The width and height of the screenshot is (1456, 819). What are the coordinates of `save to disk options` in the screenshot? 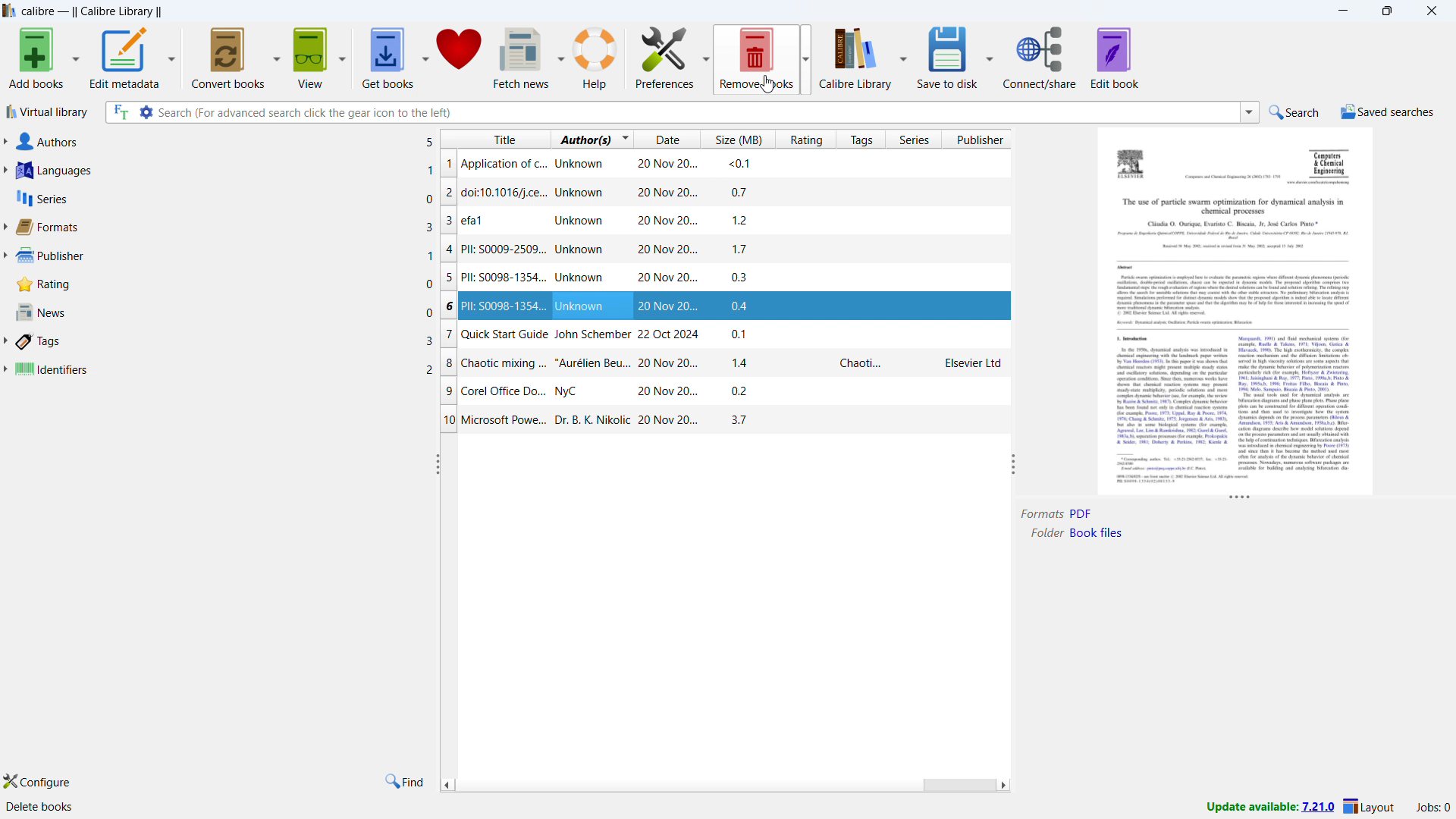 It's located at (990, 56).